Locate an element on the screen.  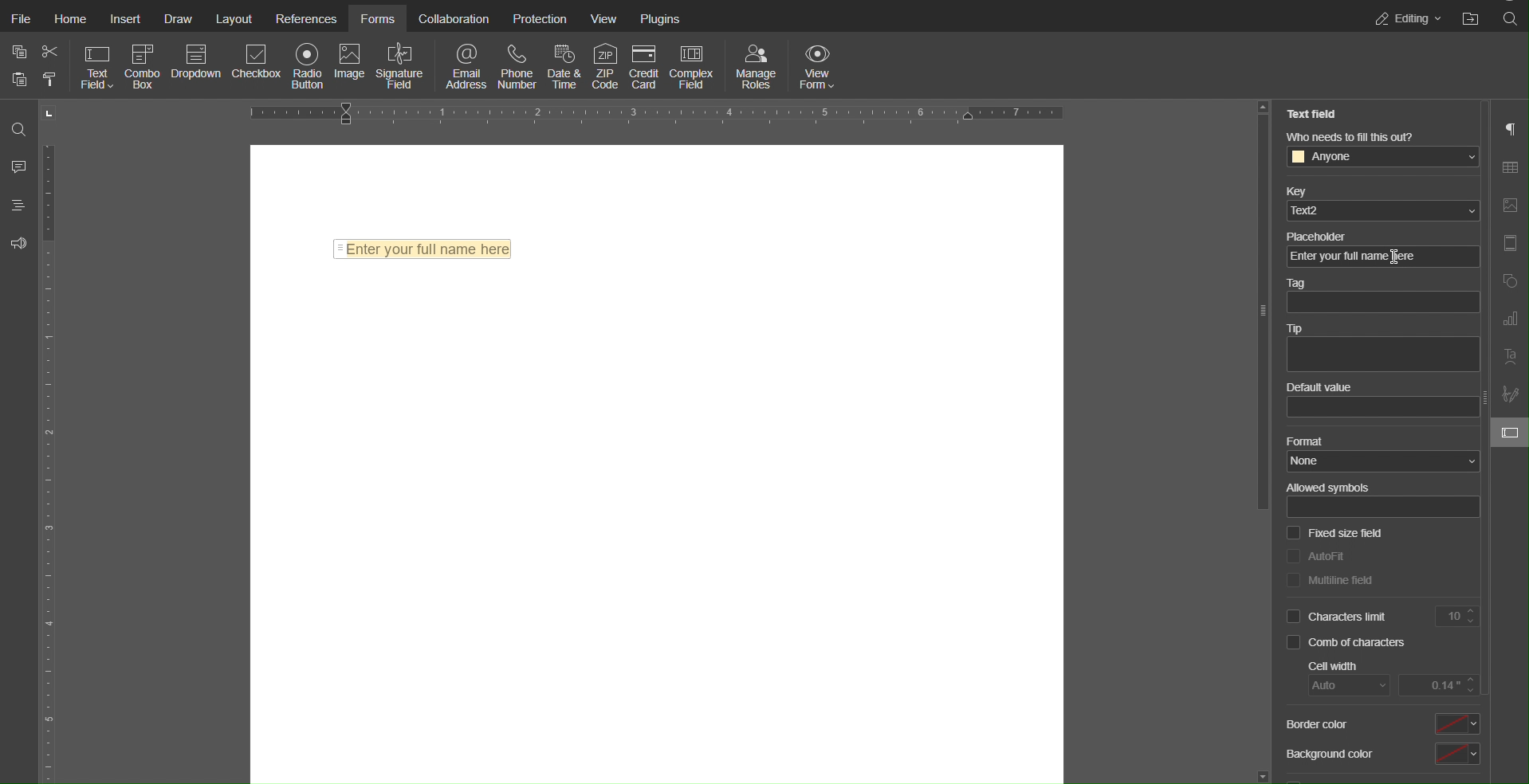
Editing is located at coordinates (1408, 17).